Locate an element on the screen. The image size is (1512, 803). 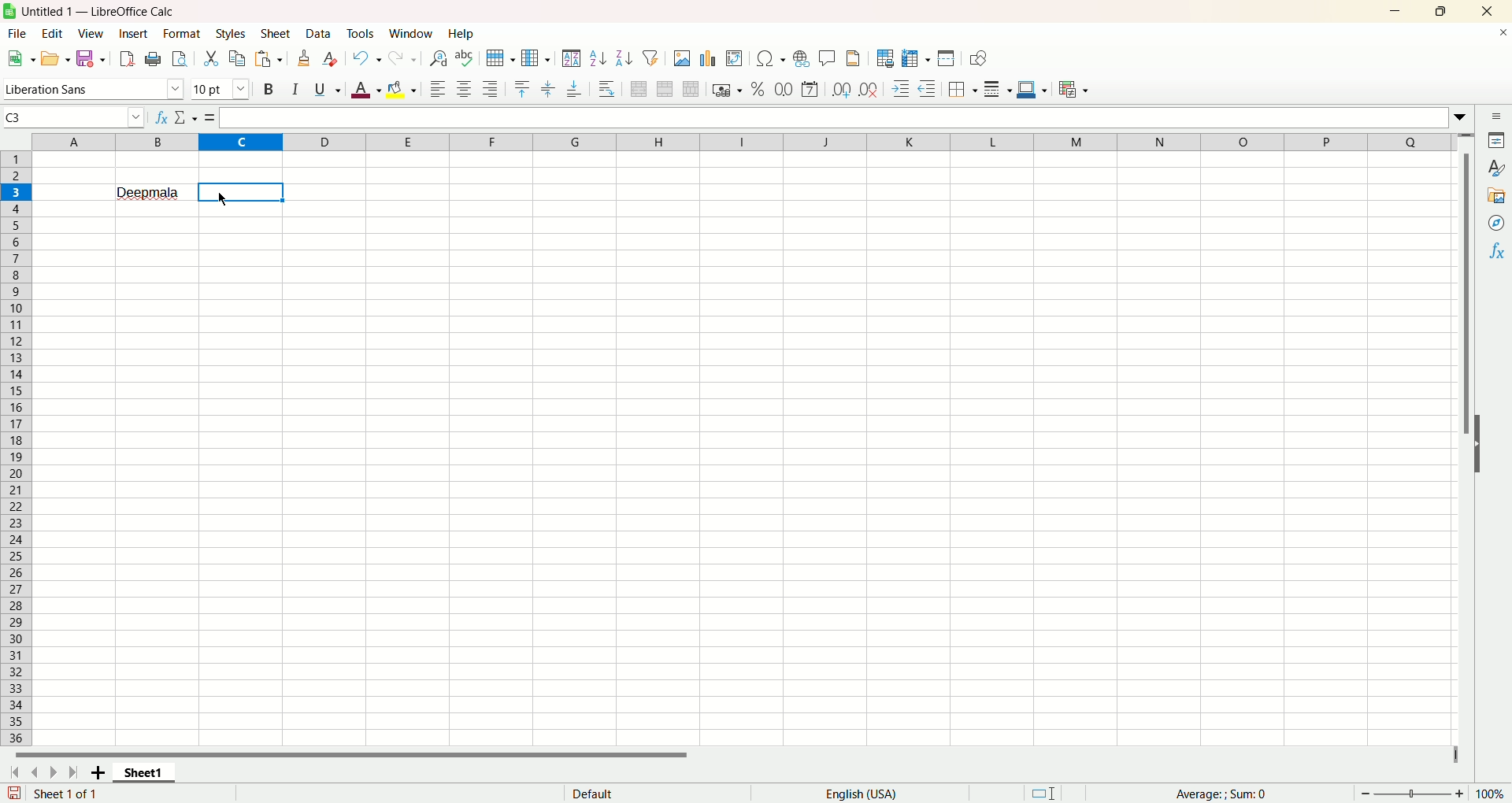
Row is located at coordinates (502, 58).